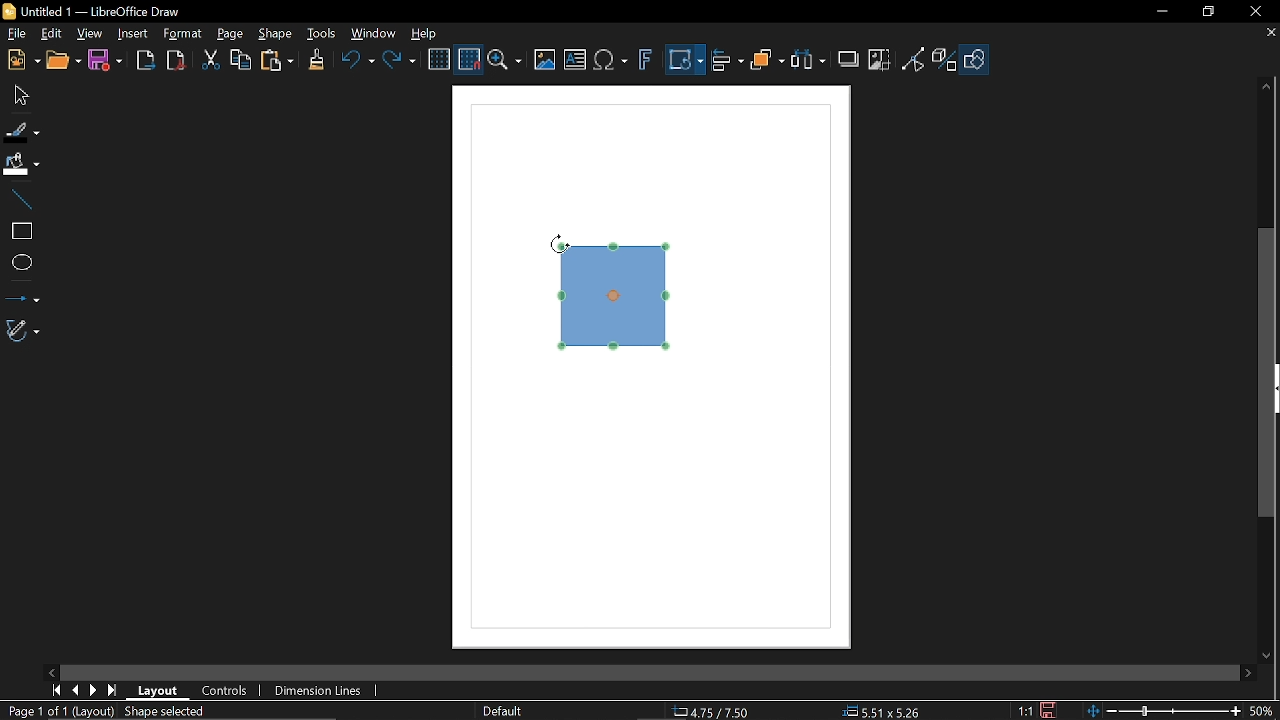 This screenshot has height=720, width=1280. Describe the element at coordinates (276, 63) in the screenshot. I see `Paste` at that location.